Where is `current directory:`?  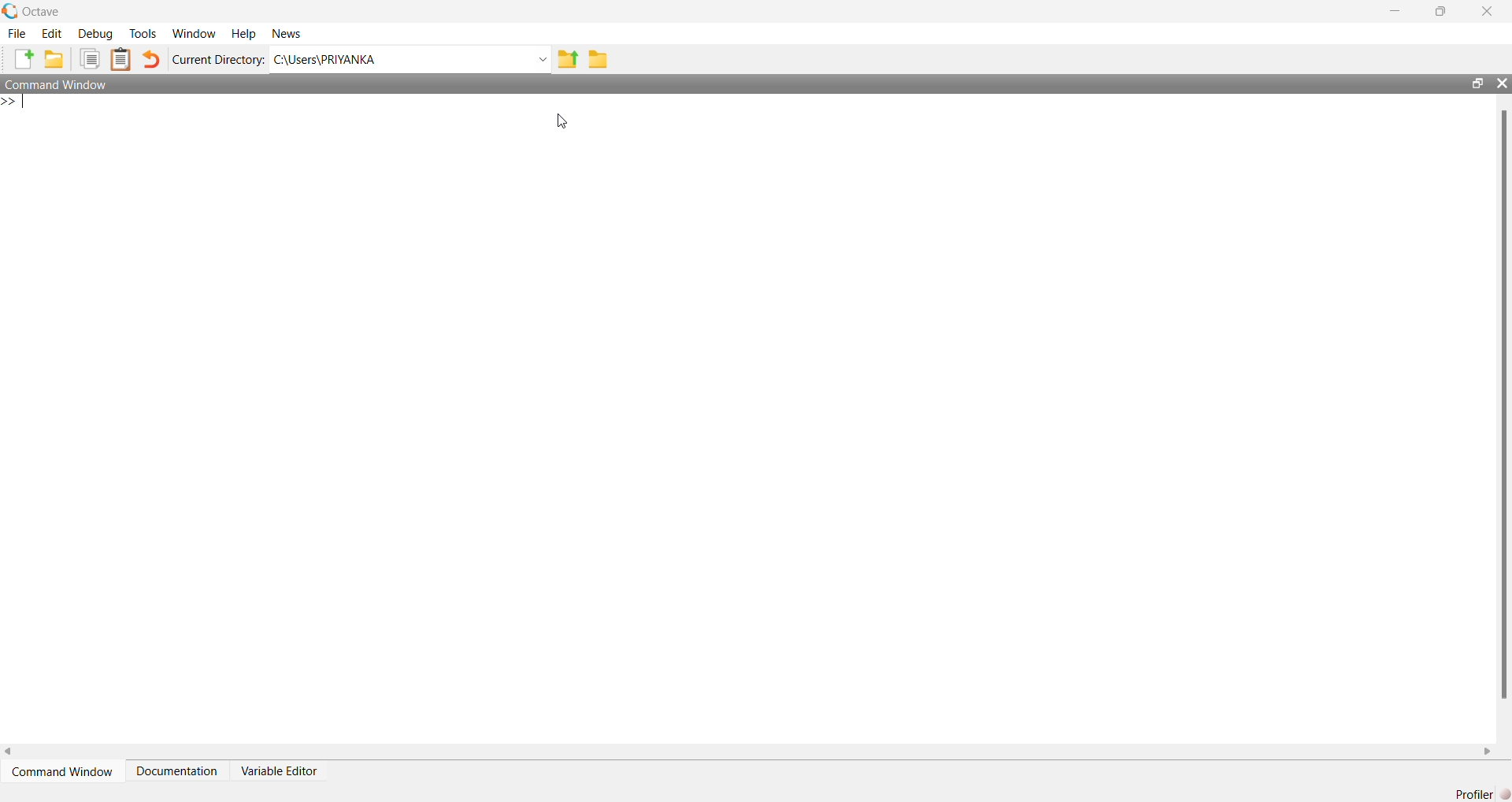 current directory: is located at coordinates (220, 60).